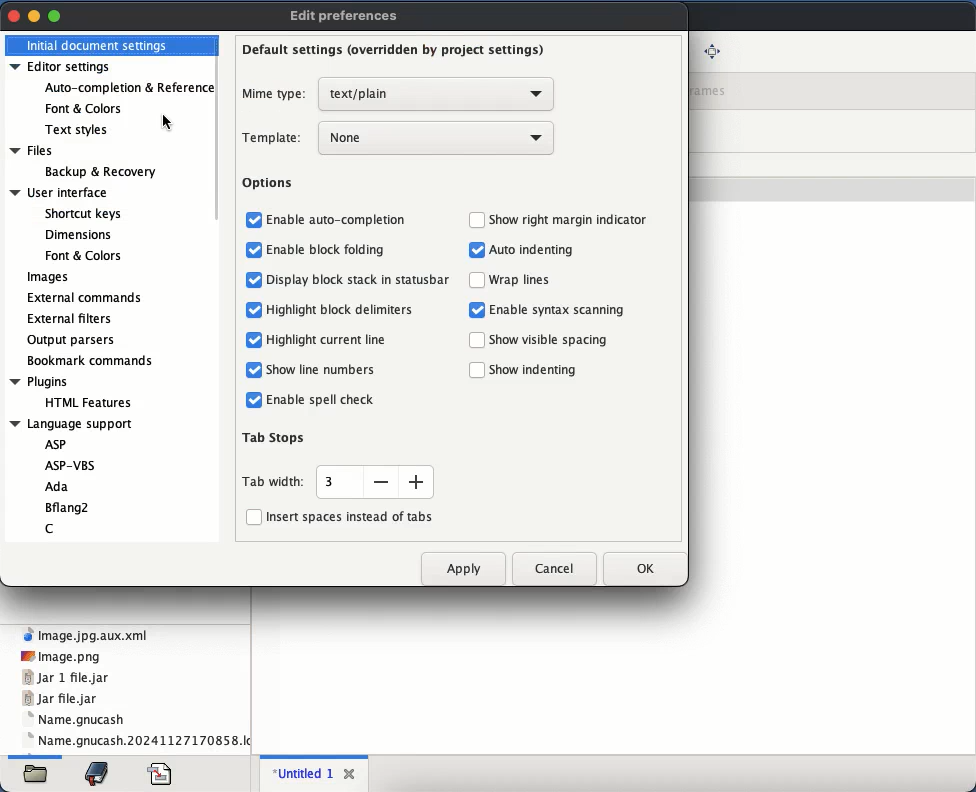 The image size is (976, 792). Describe the element at coordinates (78, 718) in the screenshot. I see `name.gnucash` at that location.